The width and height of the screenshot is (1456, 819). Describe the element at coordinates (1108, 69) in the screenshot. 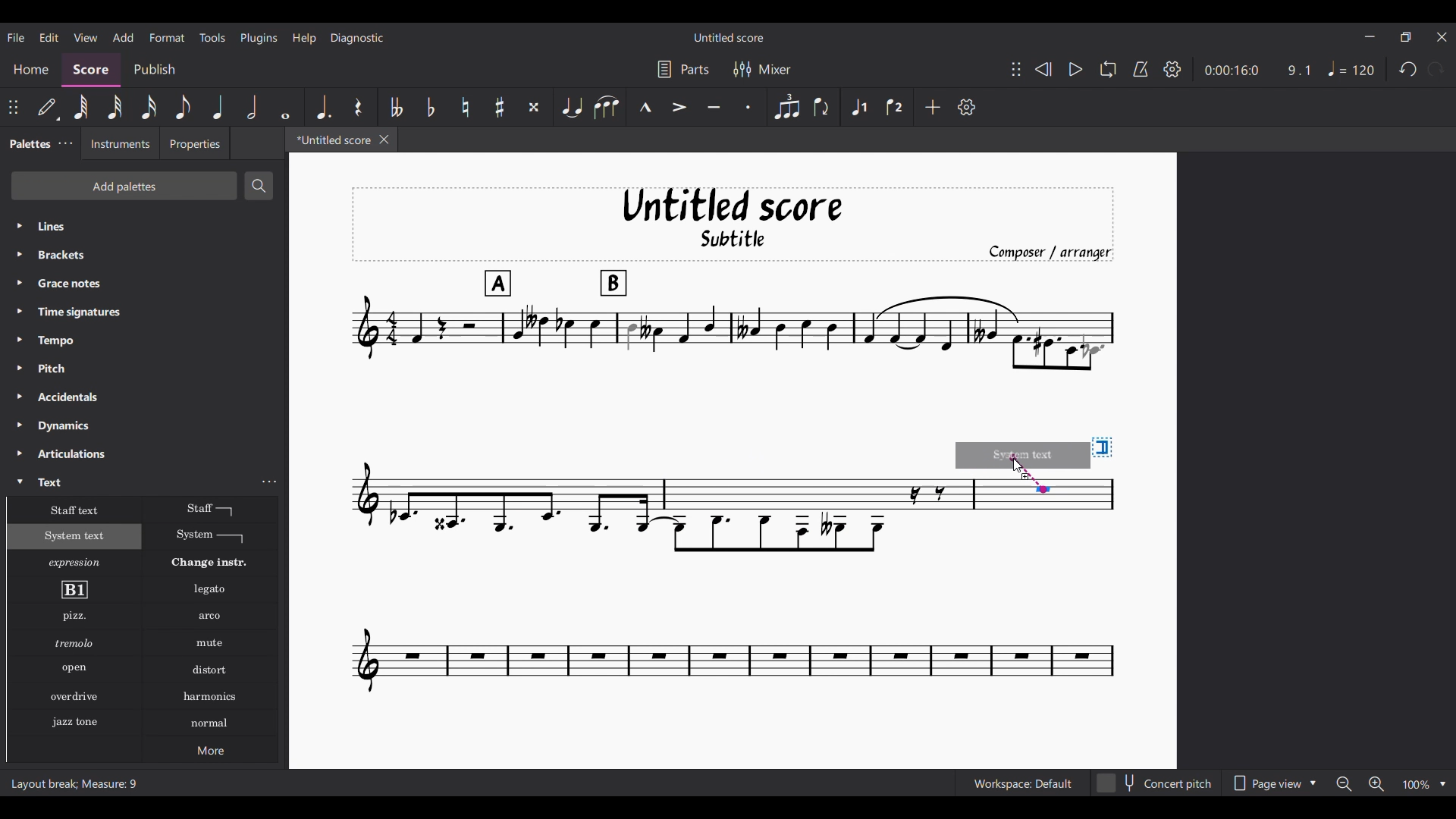

I see `Loop playback` at that location.